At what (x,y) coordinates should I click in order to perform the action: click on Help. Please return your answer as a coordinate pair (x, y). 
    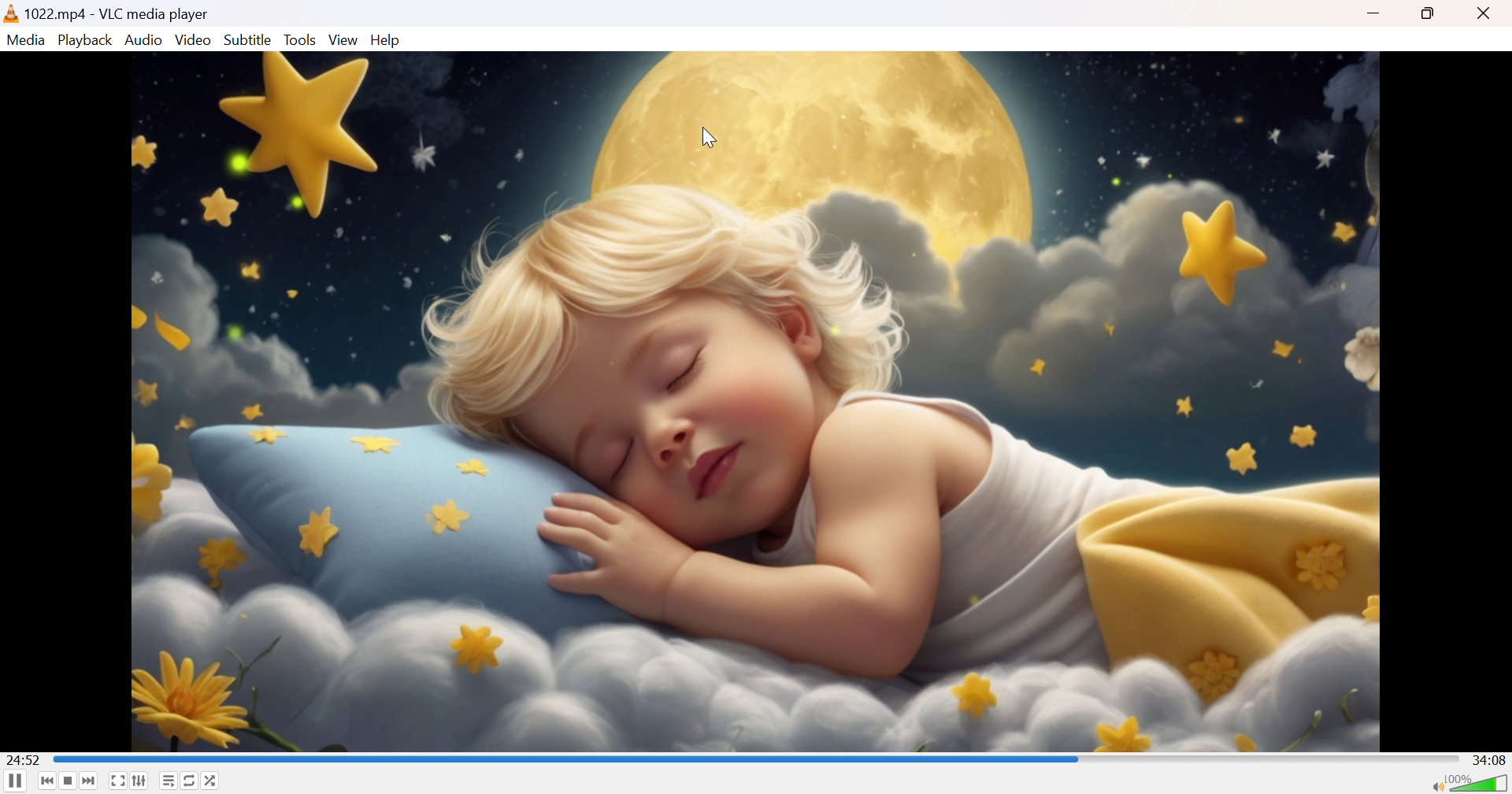
    Looking at the image, I should click on (388, 39).